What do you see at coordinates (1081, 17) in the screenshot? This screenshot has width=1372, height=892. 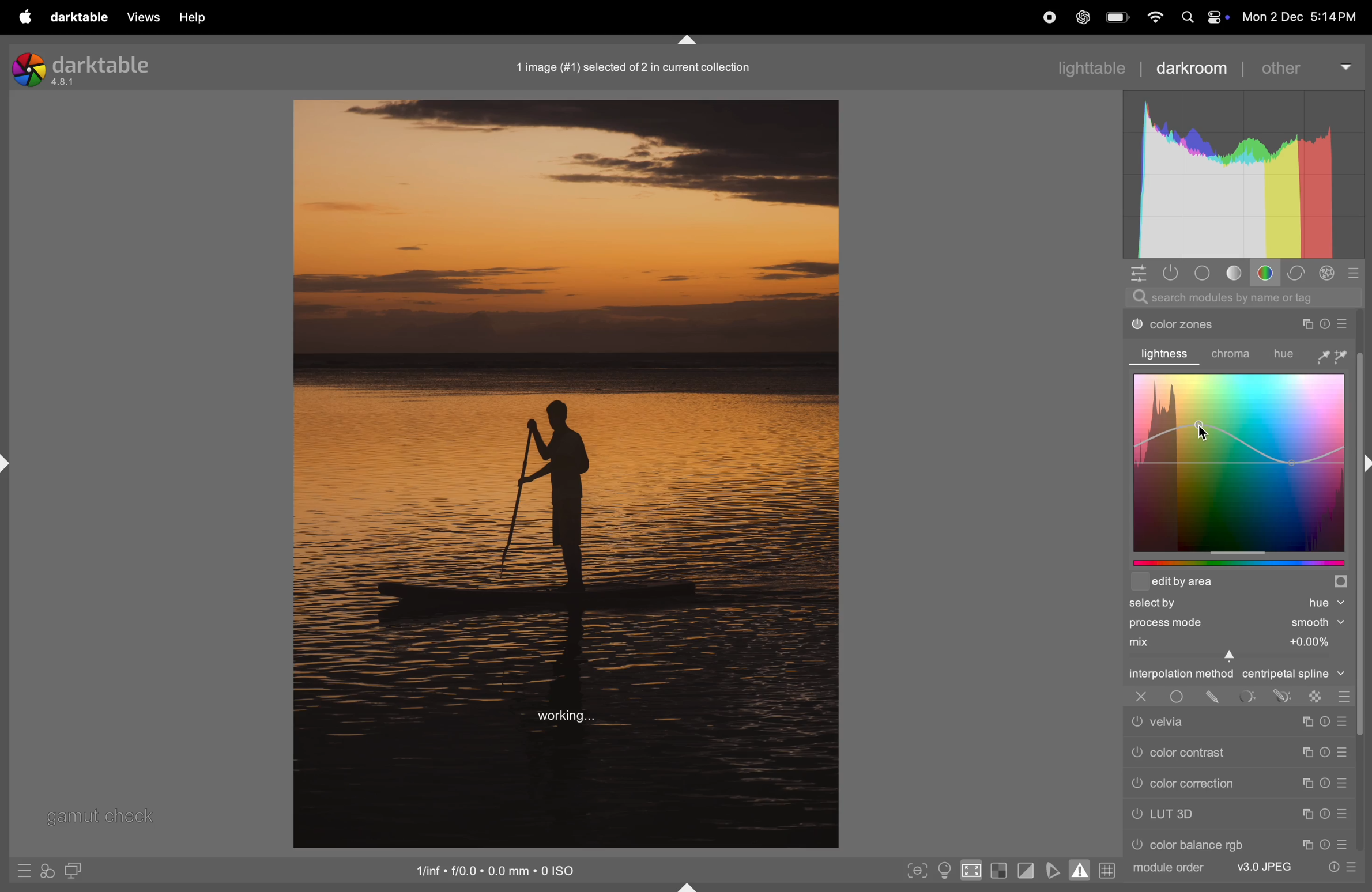 I see `cahtgpt` at bounding box center [1081, 17].